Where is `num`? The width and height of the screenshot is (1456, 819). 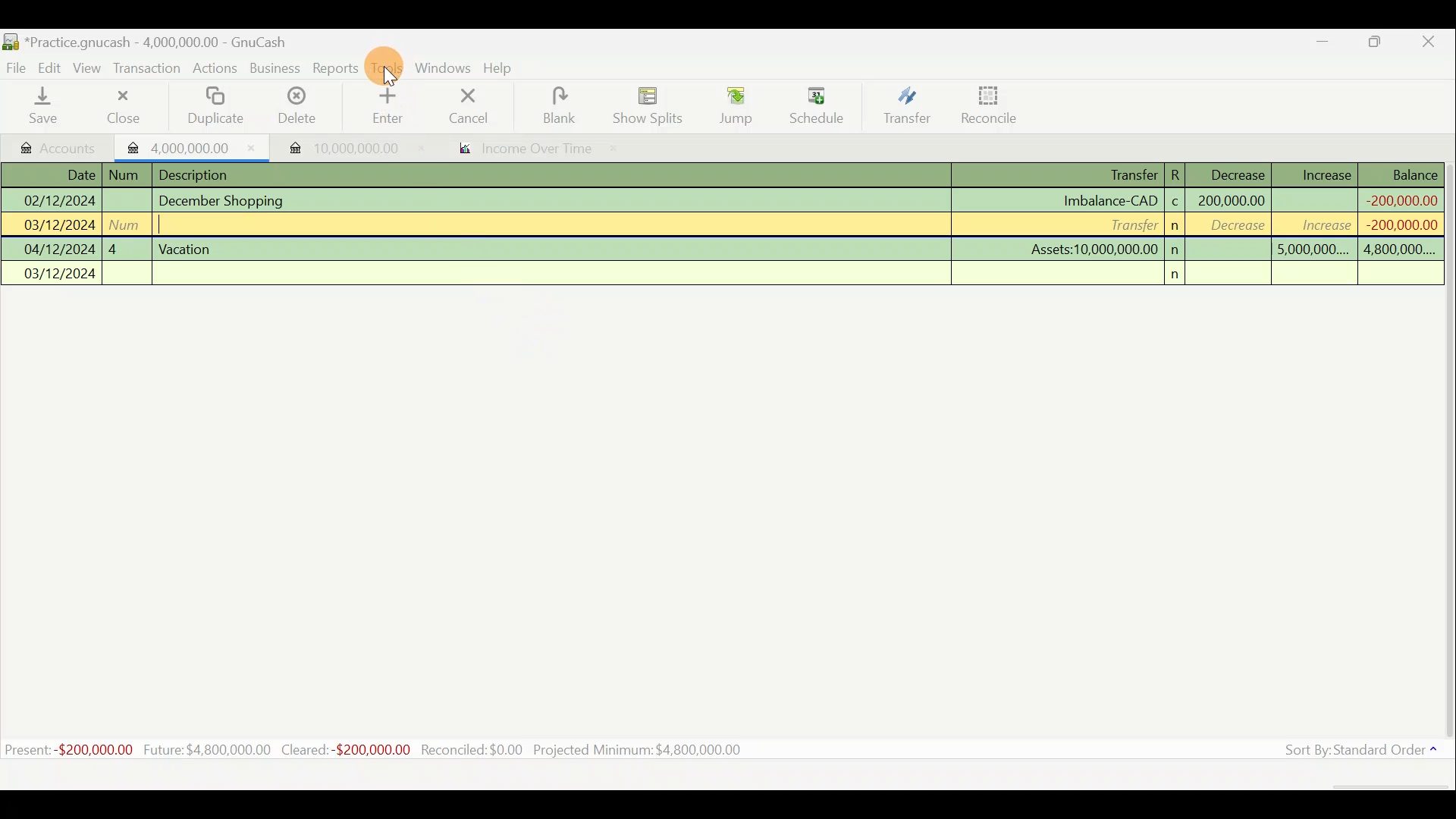
num is located at coordinates (128, 224).